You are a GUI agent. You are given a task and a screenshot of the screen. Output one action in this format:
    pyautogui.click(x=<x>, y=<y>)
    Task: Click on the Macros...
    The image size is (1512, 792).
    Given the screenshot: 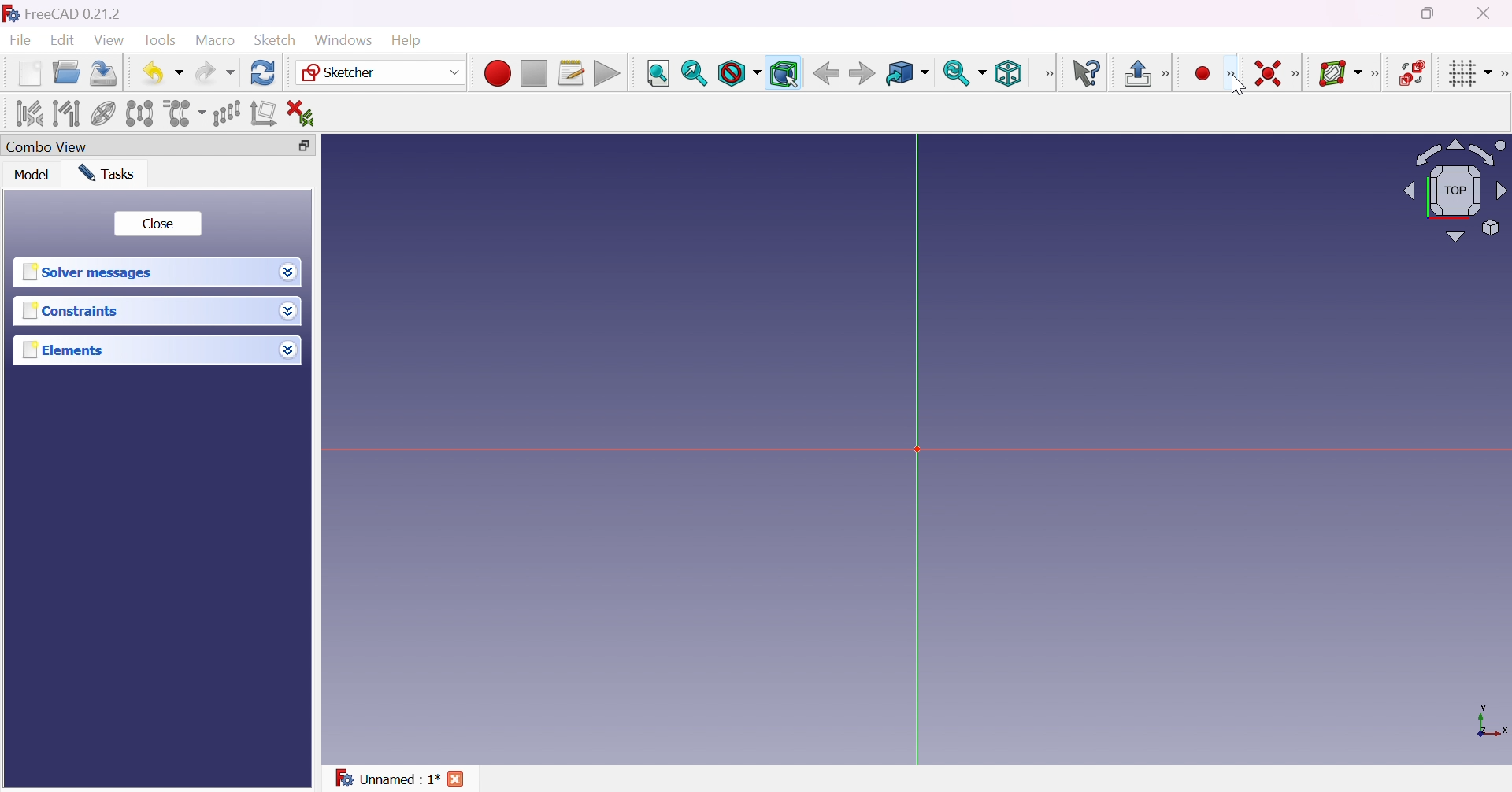 What is the action you would take?
    pyautogui.click(x=571, y=73)
    